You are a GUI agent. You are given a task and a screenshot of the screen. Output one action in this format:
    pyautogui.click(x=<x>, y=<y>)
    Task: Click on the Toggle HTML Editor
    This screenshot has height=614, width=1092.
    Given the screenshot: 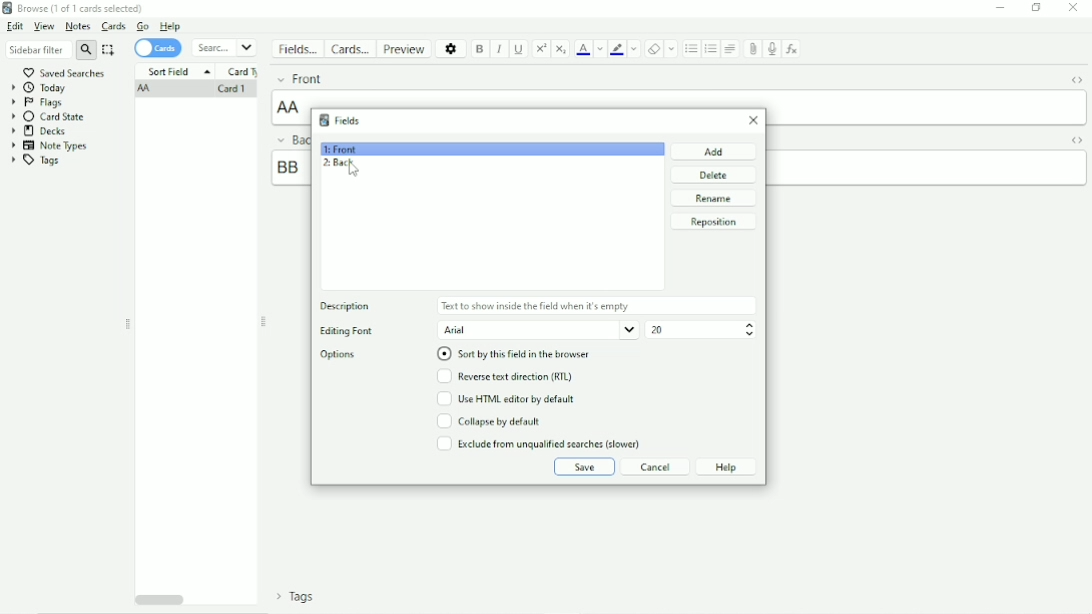 What is the action you would take?
    pyautogui.click(x=1076, y=82)
    